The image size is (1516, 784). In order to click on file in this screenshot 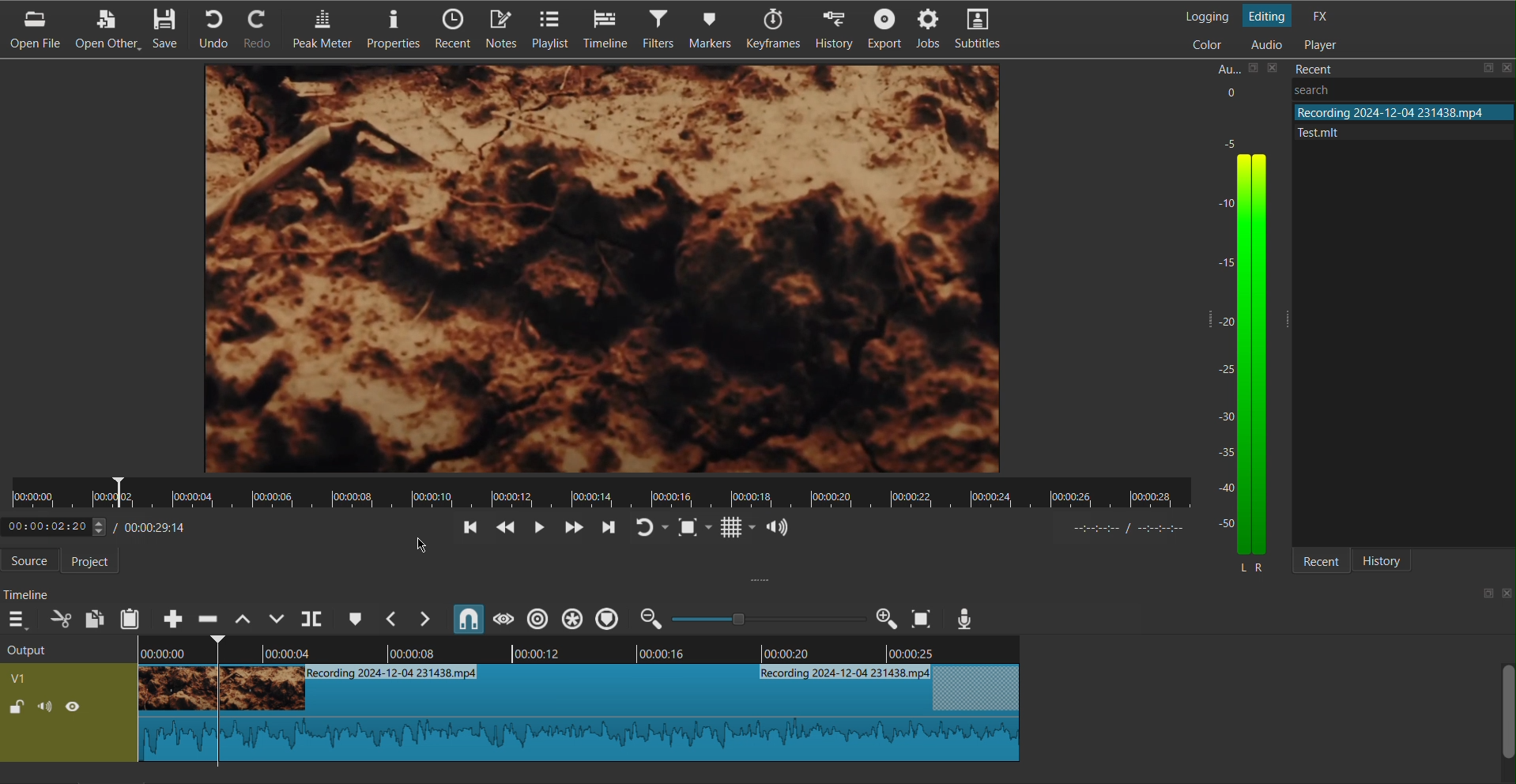, I will do `click(1390, 130)`.